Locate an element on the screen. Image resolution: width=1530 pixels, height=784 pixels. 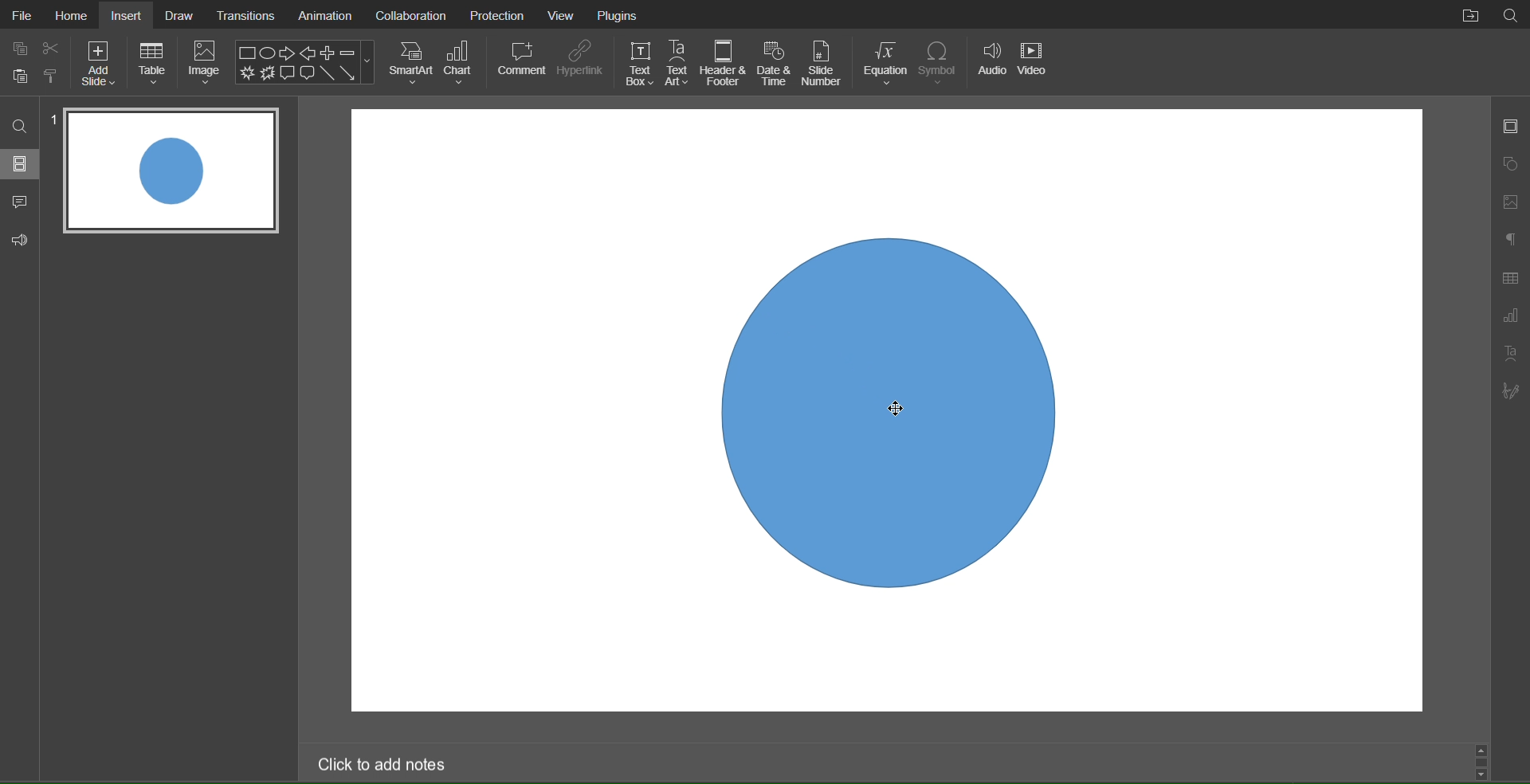
Click to add notes is located at coordinates (383, 763).